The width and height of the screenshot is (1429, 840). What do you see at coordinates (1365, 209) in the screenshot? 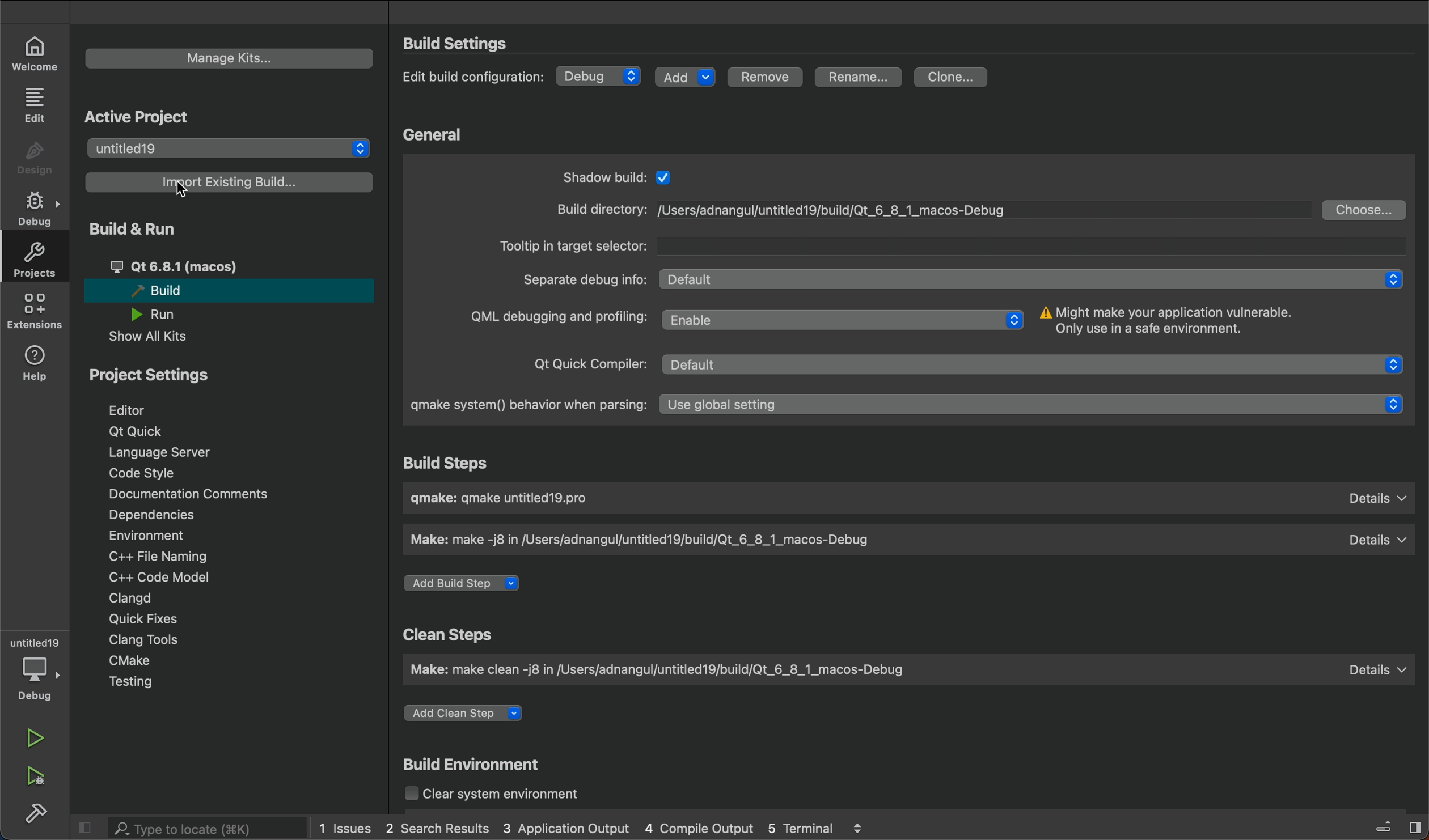
I see `choose` at bounding box center [1365, 209].